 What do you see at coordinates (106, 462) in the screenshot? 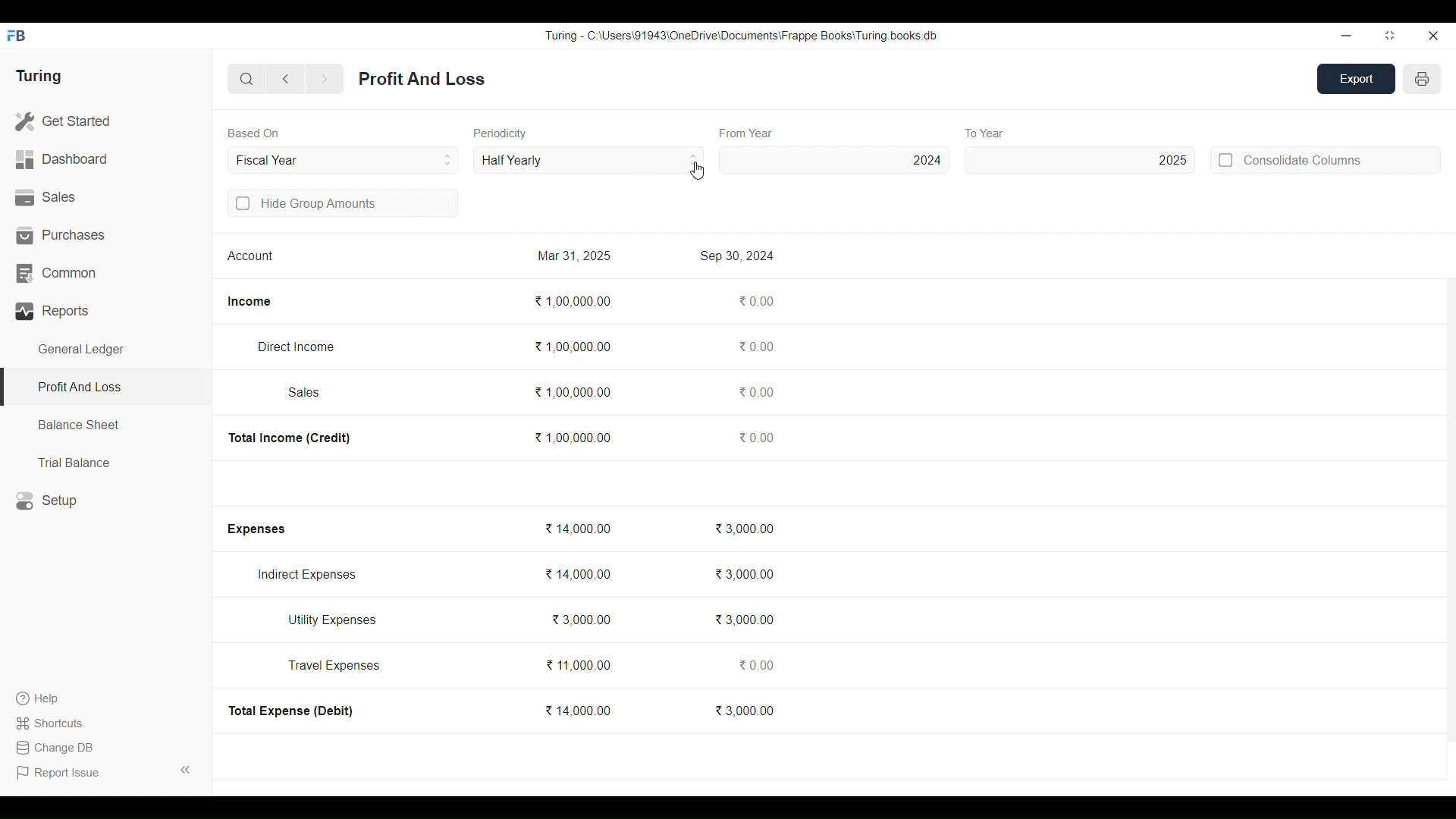
I see `Trial Balance` at bounding box center [106, 462].